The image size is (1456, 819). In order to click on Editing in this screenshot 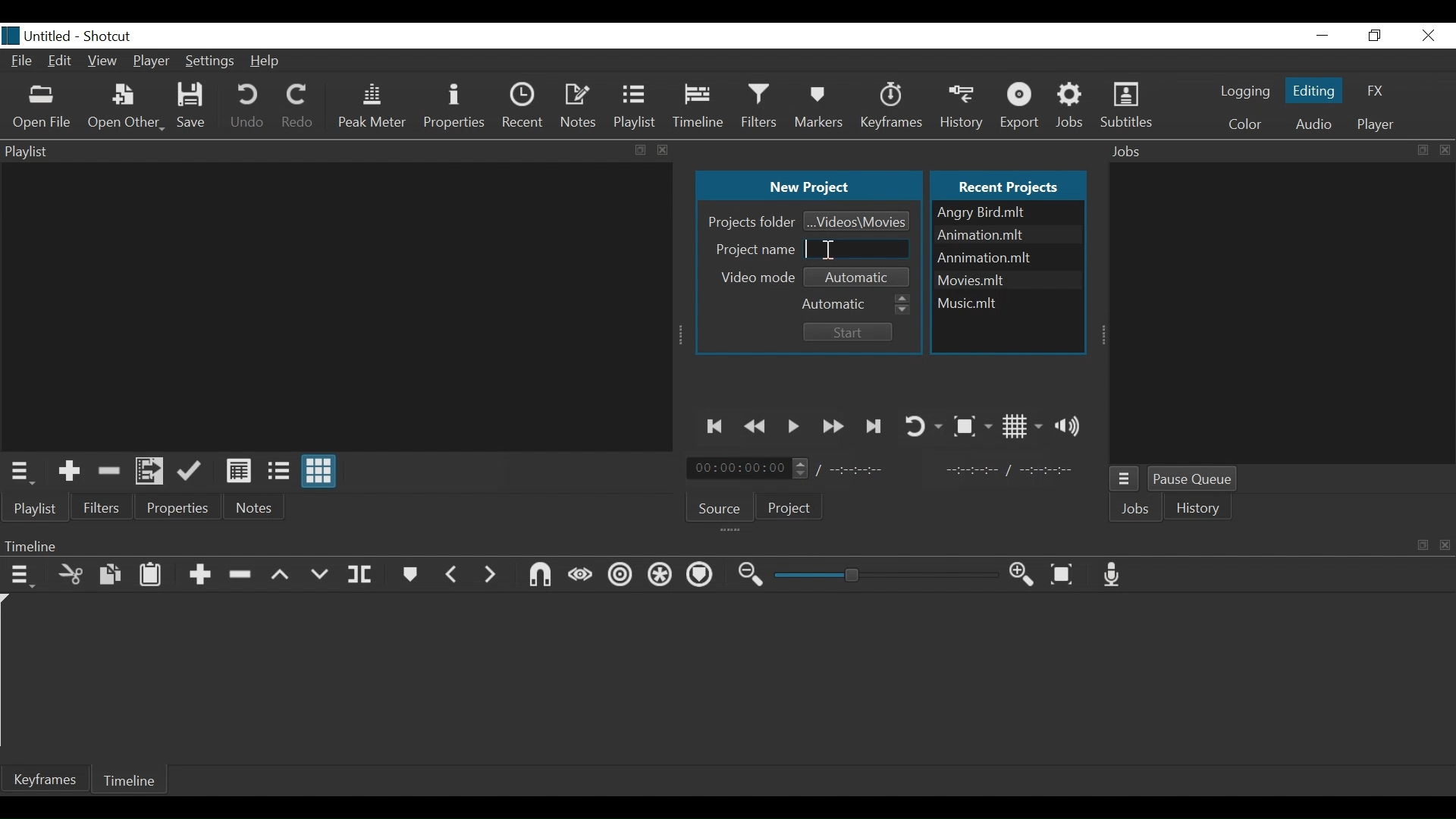, I will do `click(1312, 89)`.